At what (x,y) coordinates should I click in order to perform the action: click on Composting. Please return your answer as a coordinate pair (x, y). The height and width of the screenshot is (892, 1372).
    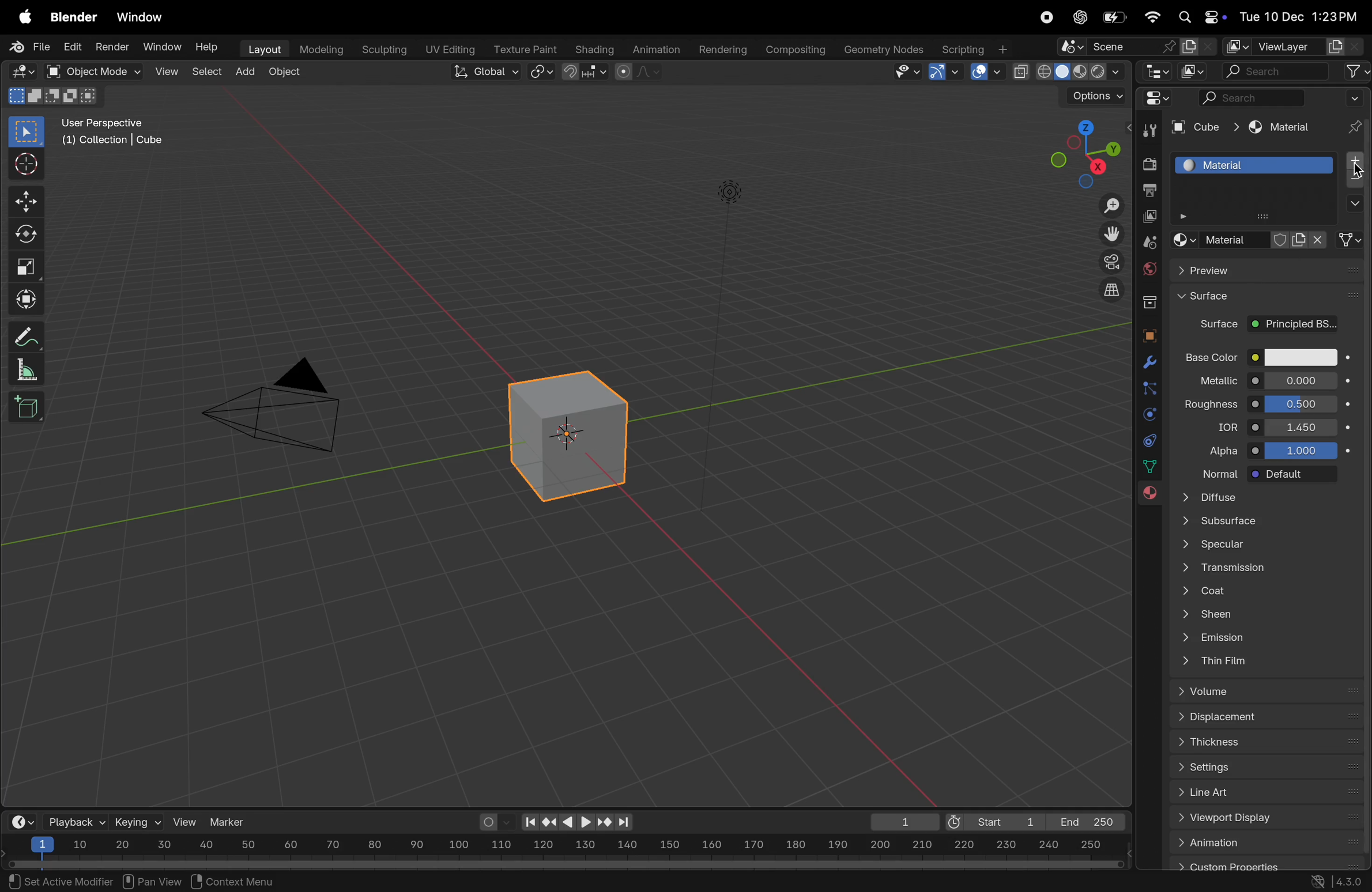
    Looking at the image, I should click on (796, 50).